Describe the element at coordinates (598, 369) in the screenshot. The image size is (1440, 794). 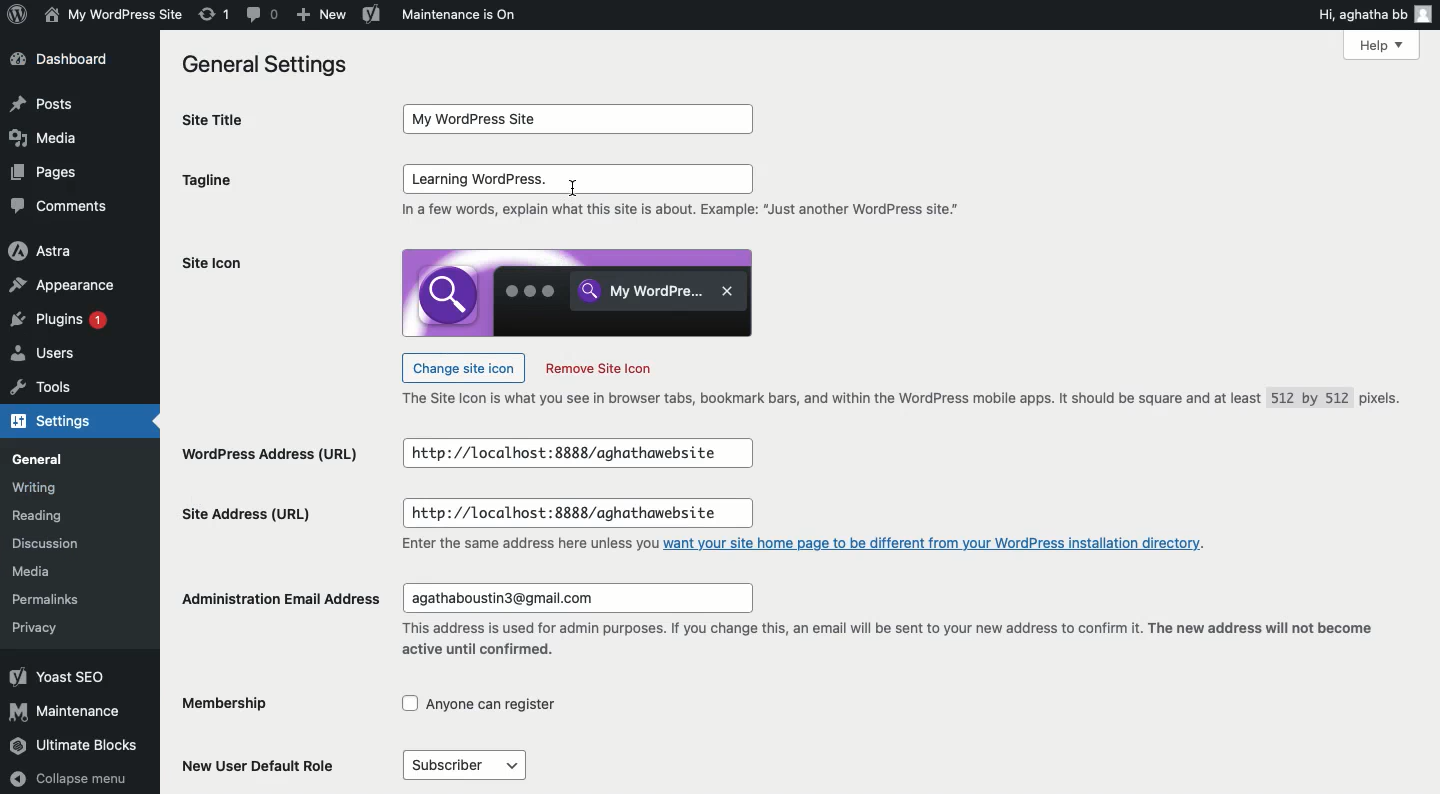
I see `Remove` at that location.